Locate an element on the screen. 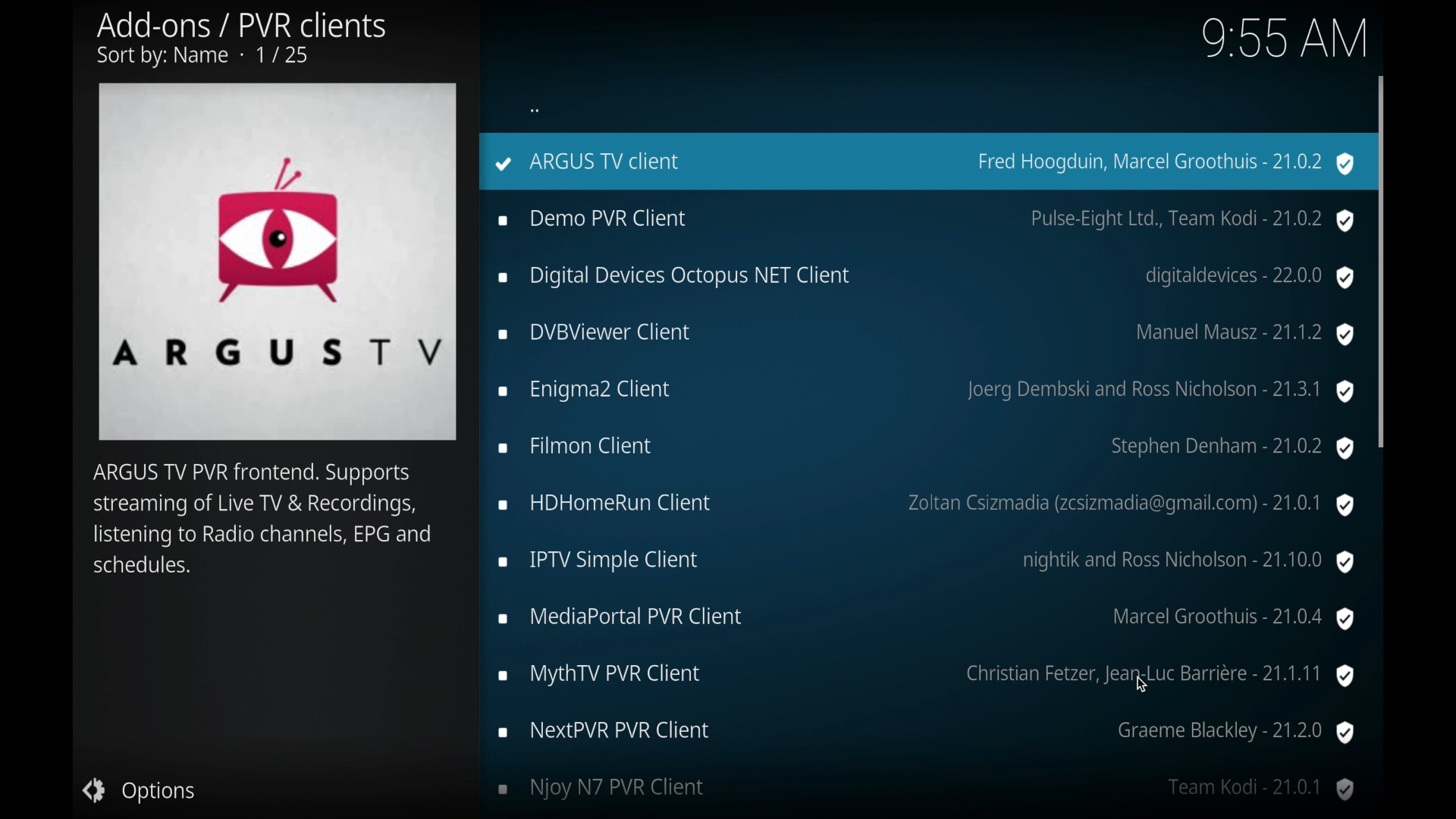  dvbviewer is located at coordinates (927, 334).